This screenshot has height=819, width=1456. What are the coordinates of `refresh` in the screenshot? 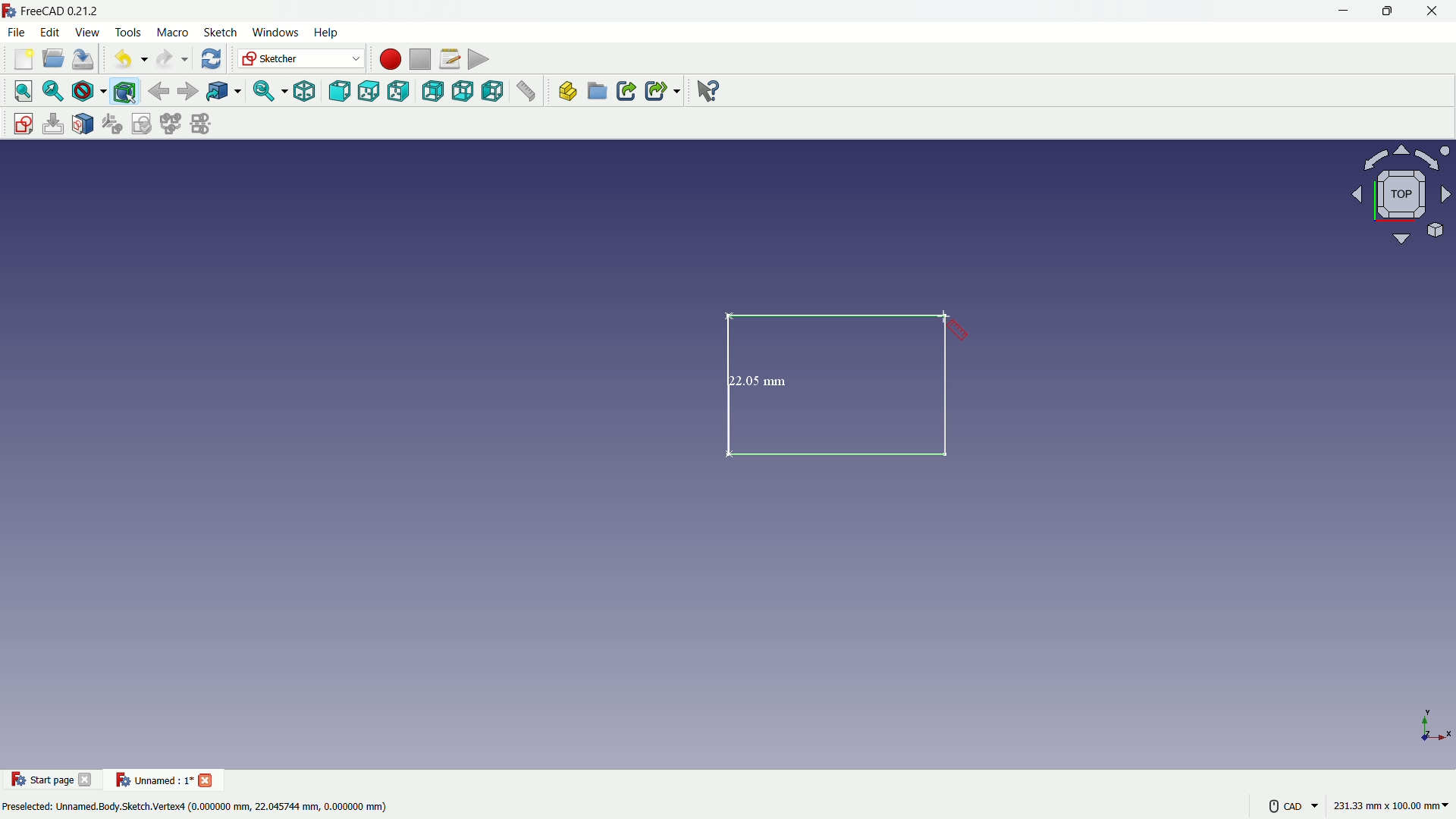 It's located at (209, 59).